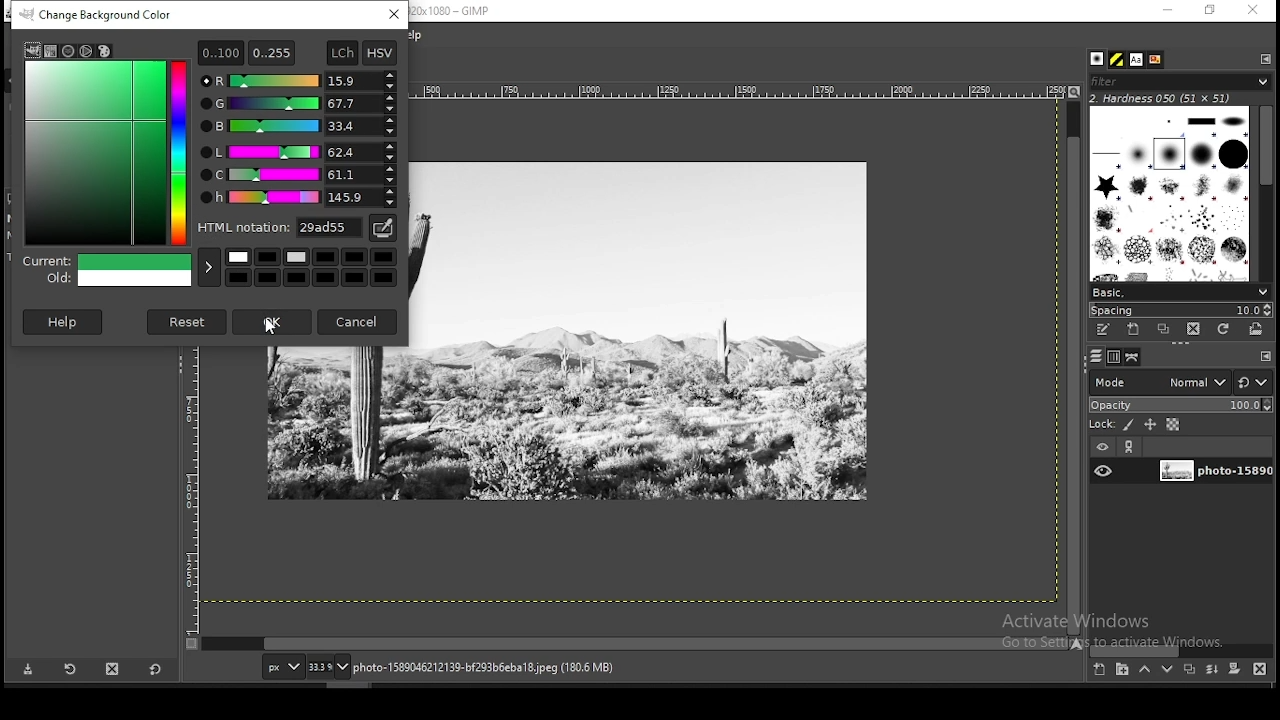  Describe the element at coordinates (1103, 472) in the screenshot. I see `layer visibility on/off` at that location.